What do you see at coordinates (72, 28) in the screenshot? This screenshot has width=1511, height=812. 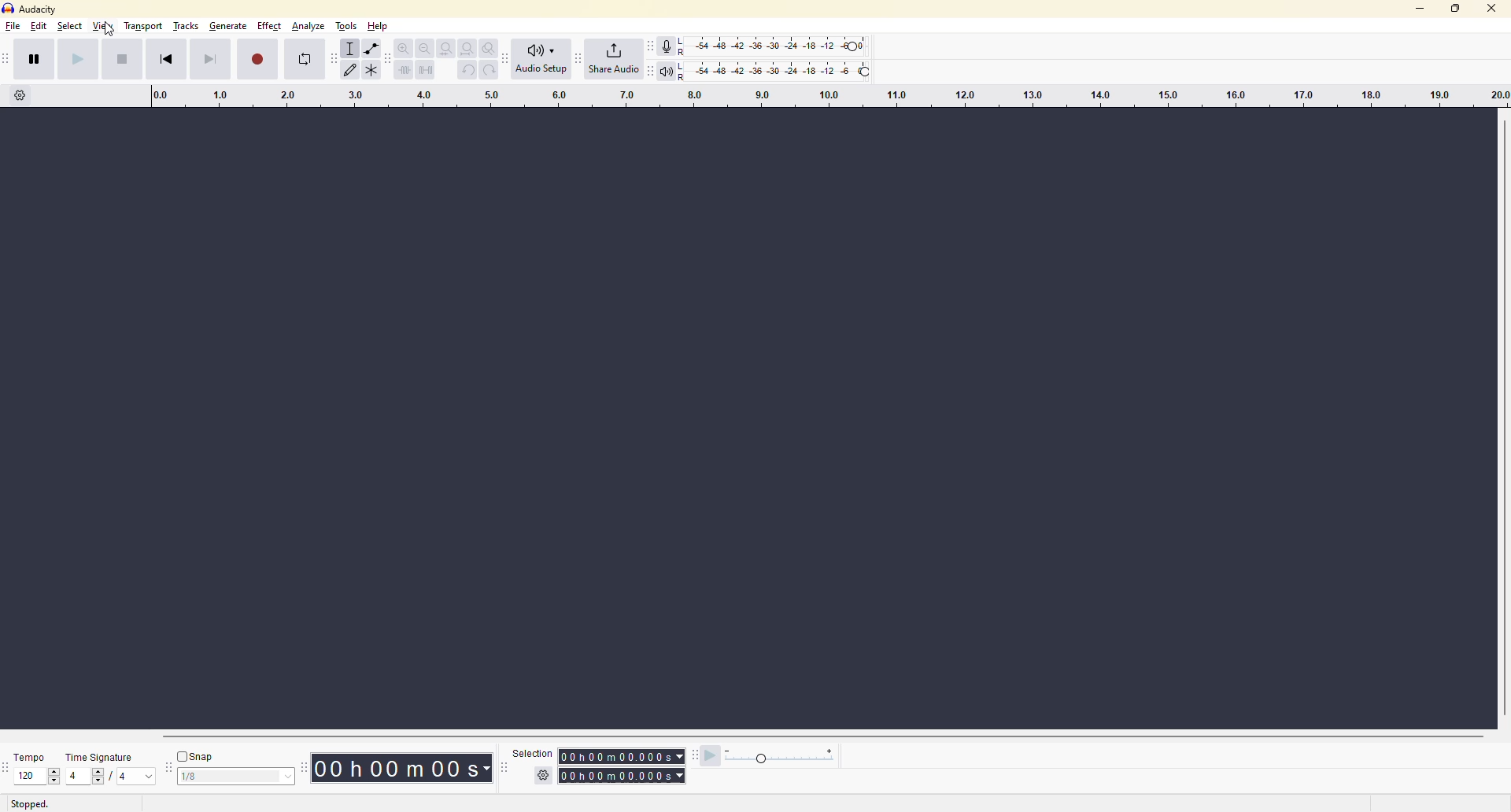 I see `select` at bounding box center [72, 28].